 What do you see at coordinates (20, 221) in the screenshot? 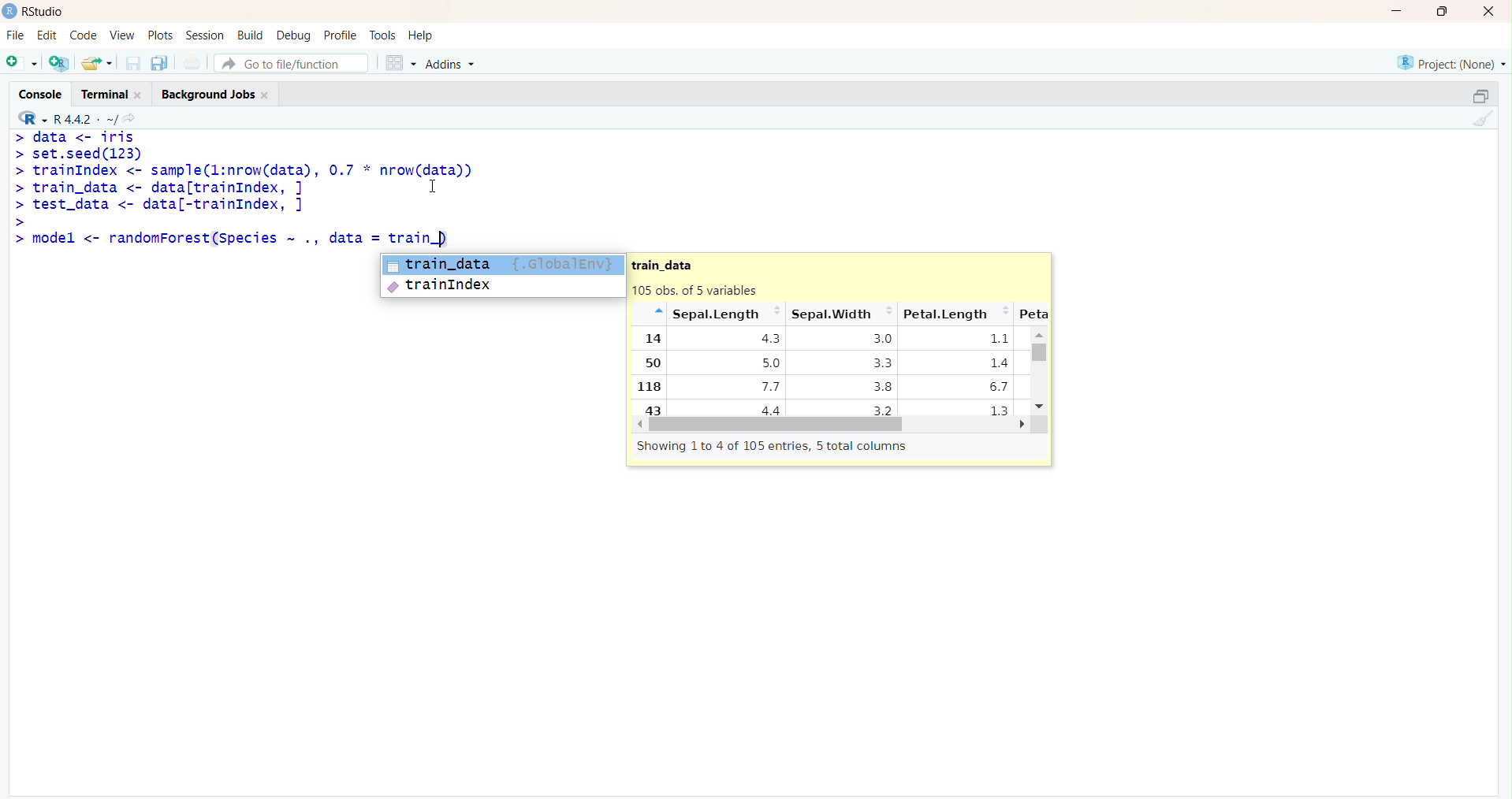
I see `Prompt cursor` at bounding box center [20, 221].